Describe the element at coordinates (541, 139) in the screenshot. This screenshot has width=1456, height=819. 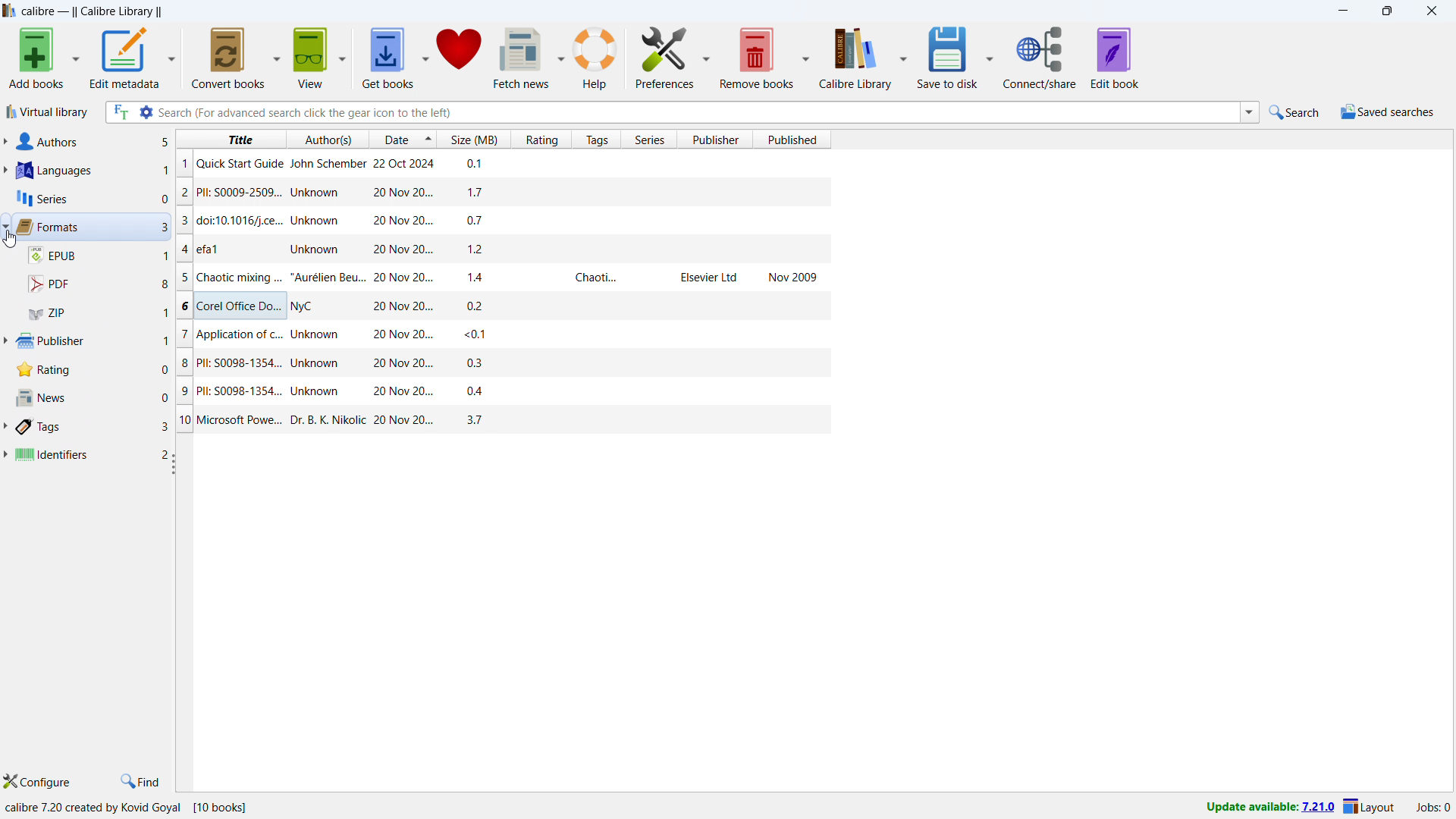
I see `sort by rating` at that location.